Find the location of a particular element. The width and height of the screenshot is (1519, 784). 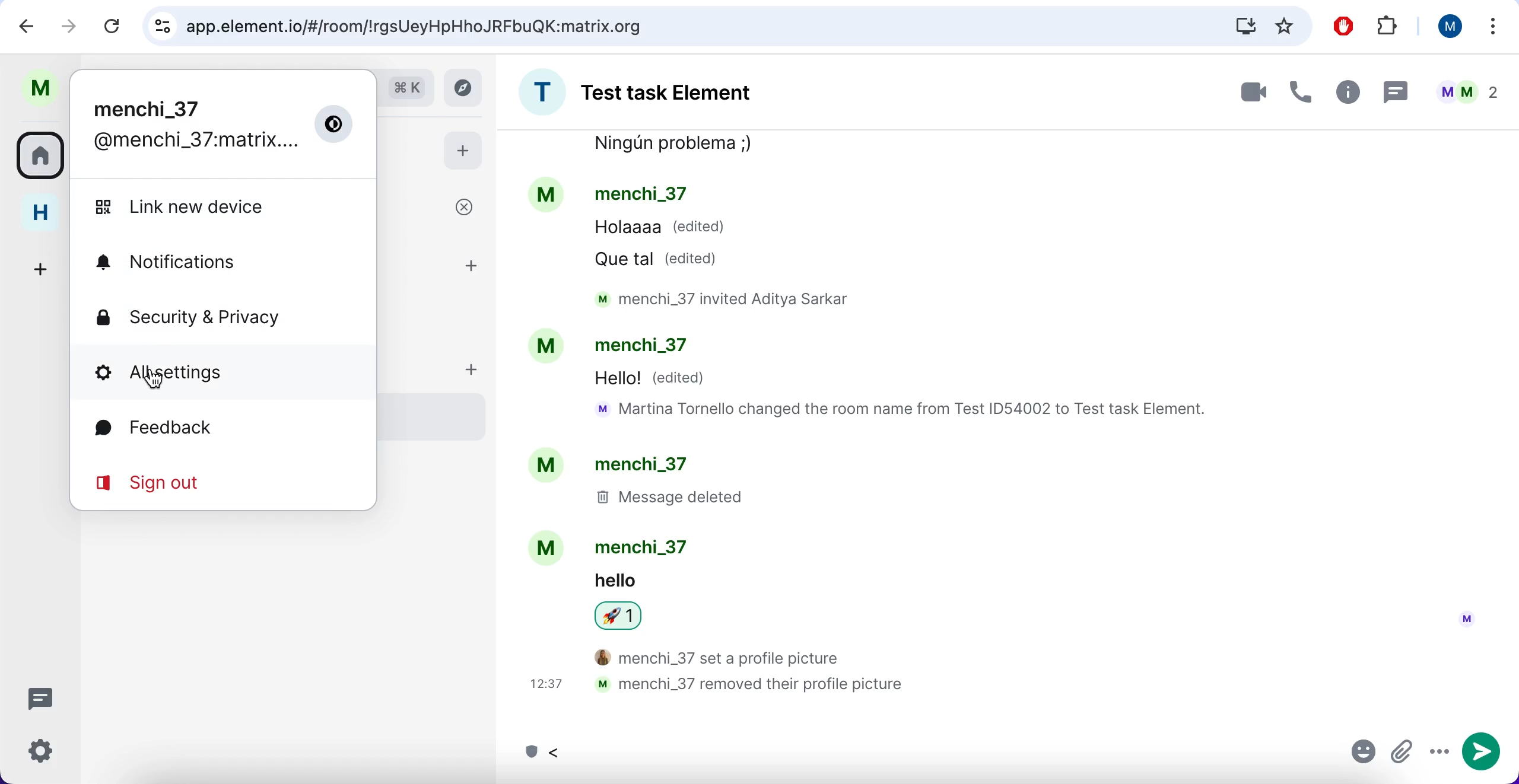

feedback is located at coordinates (205, 430).